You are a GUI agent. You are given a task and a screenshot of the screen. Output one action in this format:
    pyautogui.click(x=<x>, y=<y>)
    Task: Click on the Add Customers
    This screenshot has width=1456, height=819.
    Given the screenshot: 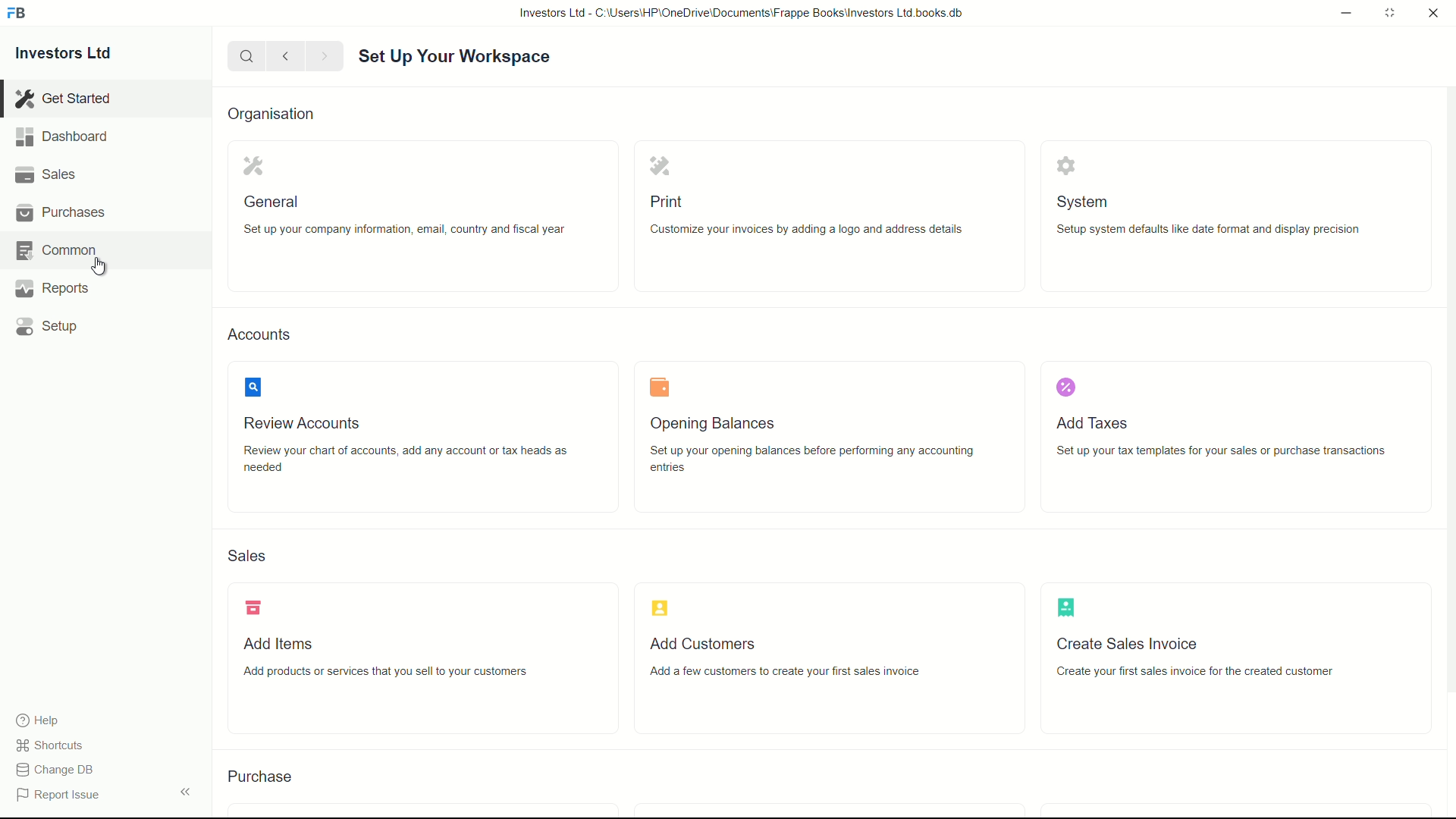 What is the action you would take?
    pyautogui.click(x=700, y=644)
    